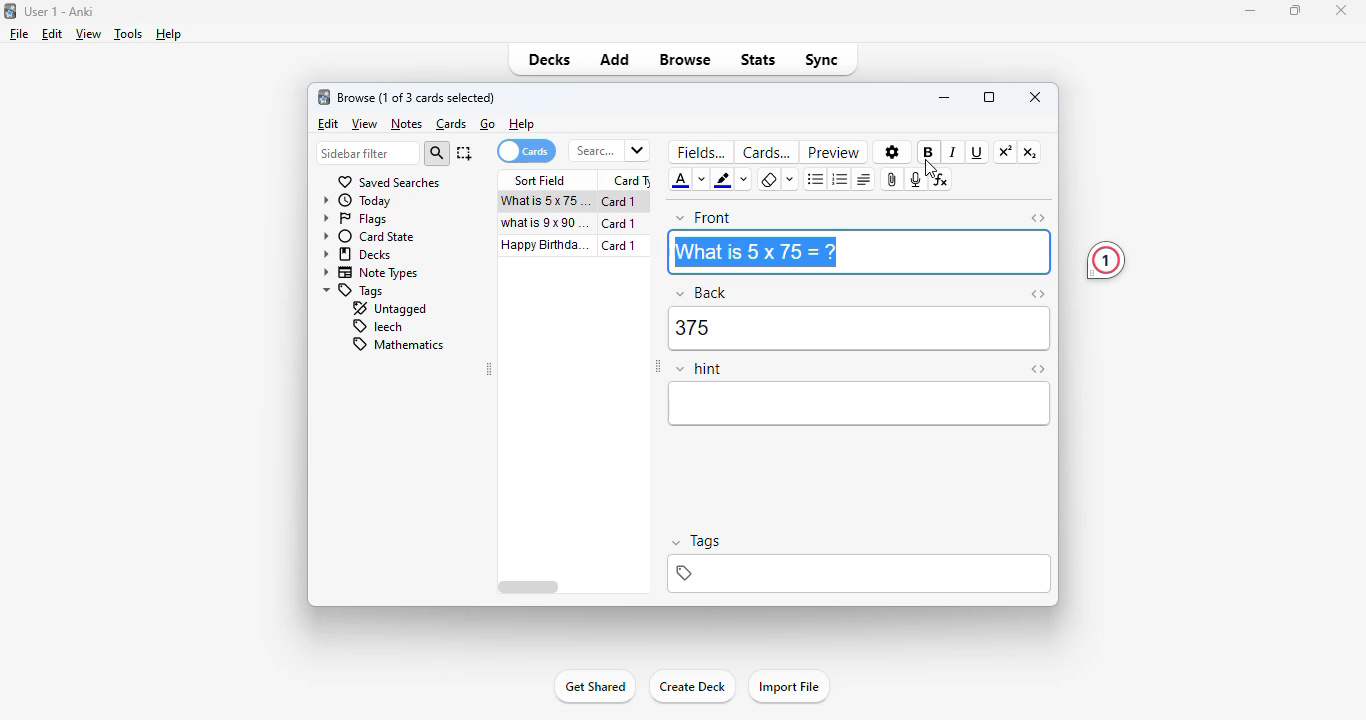 The width and height of the screenshot is (1366, 720). What do you see at coordinates (365, 124) in the screenshot?
I see `view` at bounding box center [365, 124].